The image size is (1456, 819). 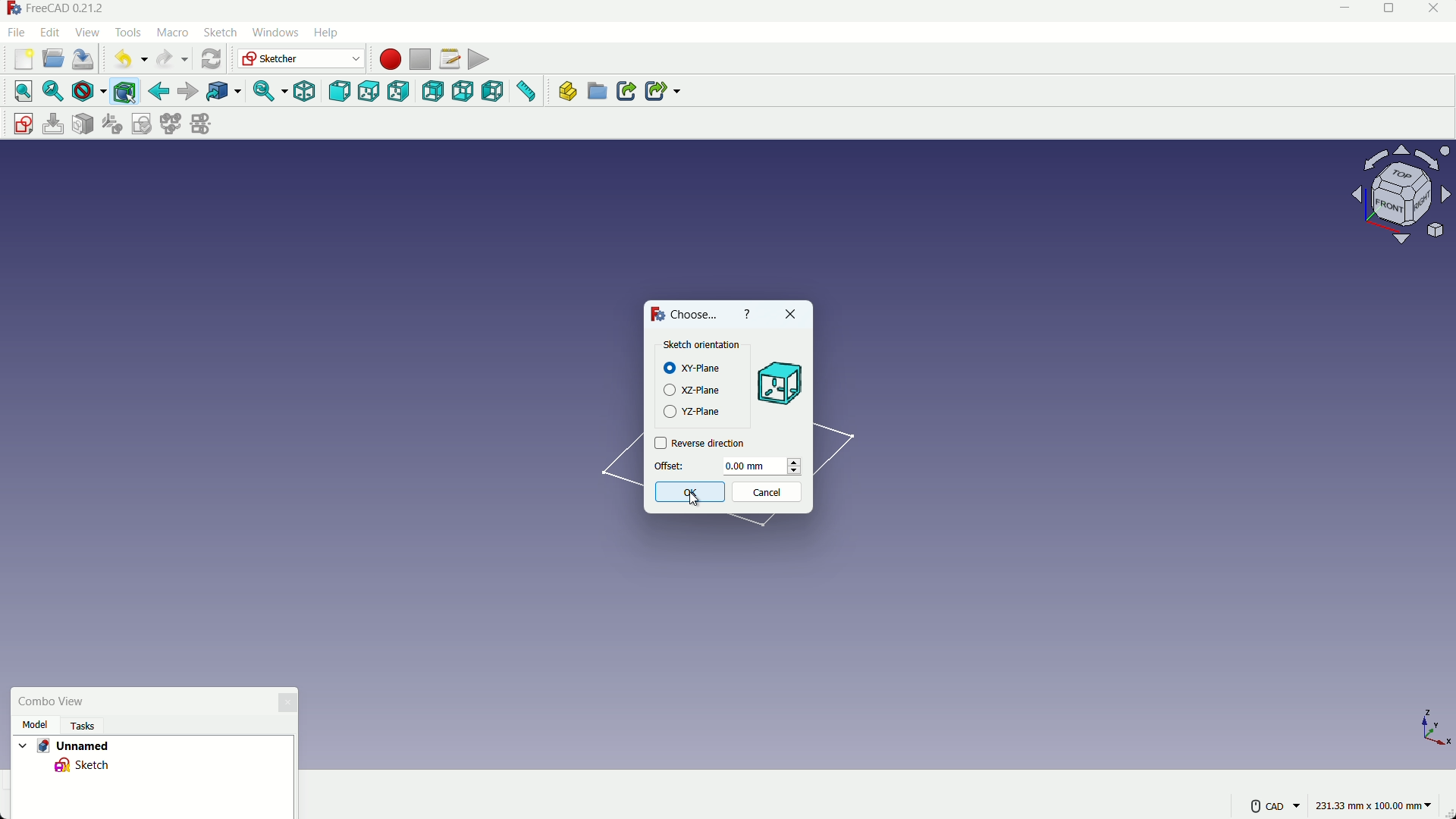 What do you see at coordinates (1376, 806) in the screenshot?
I see `measuring unit` at bounding box center [1376, 806].